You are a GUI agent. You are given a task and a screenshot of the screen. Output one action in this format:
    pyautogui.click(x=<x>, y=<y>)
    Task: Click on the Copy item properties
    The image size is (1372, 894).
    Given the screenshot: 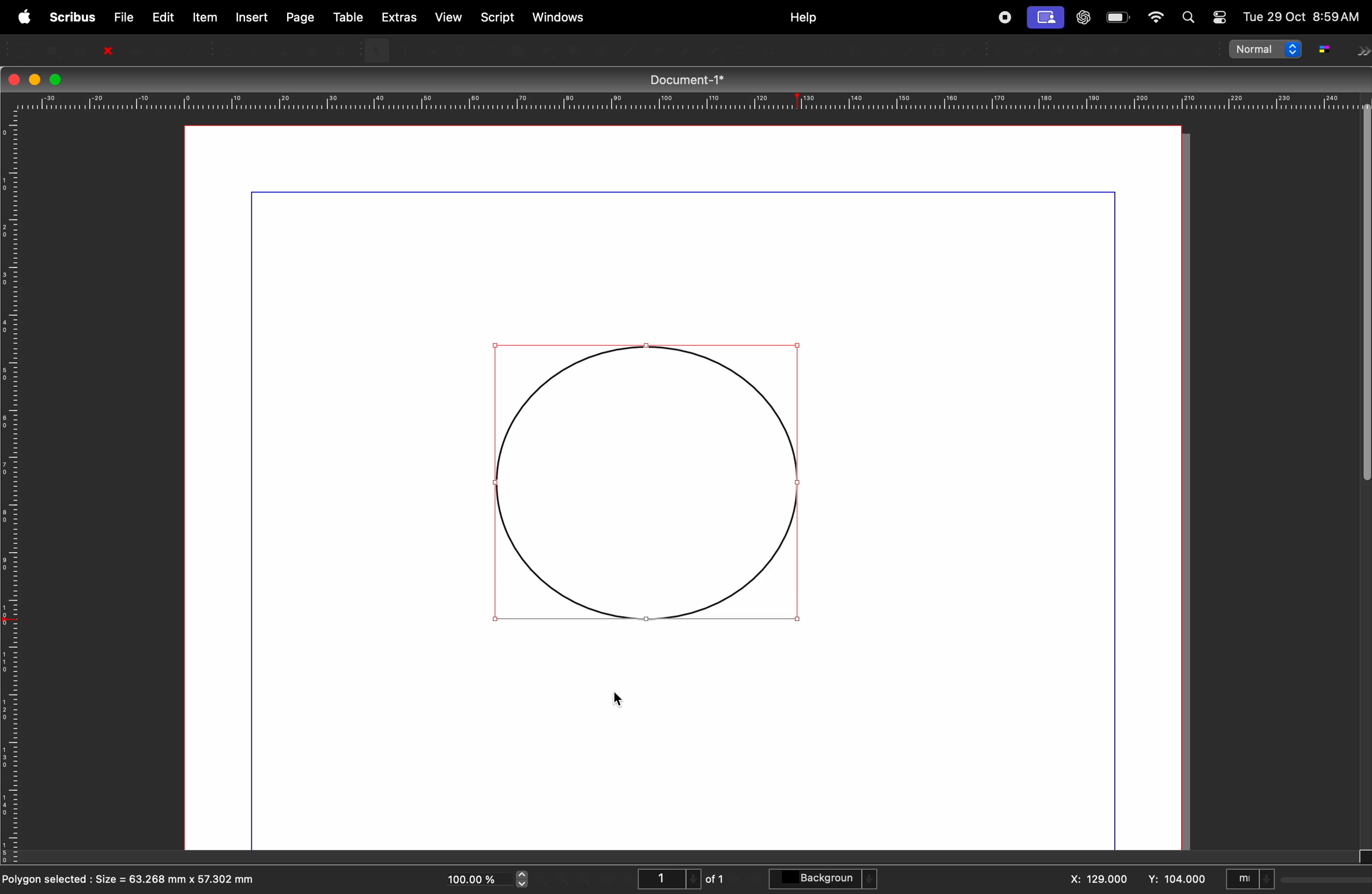 What is the action you would take?
    pyautogui.click(x=938, y=50)
    